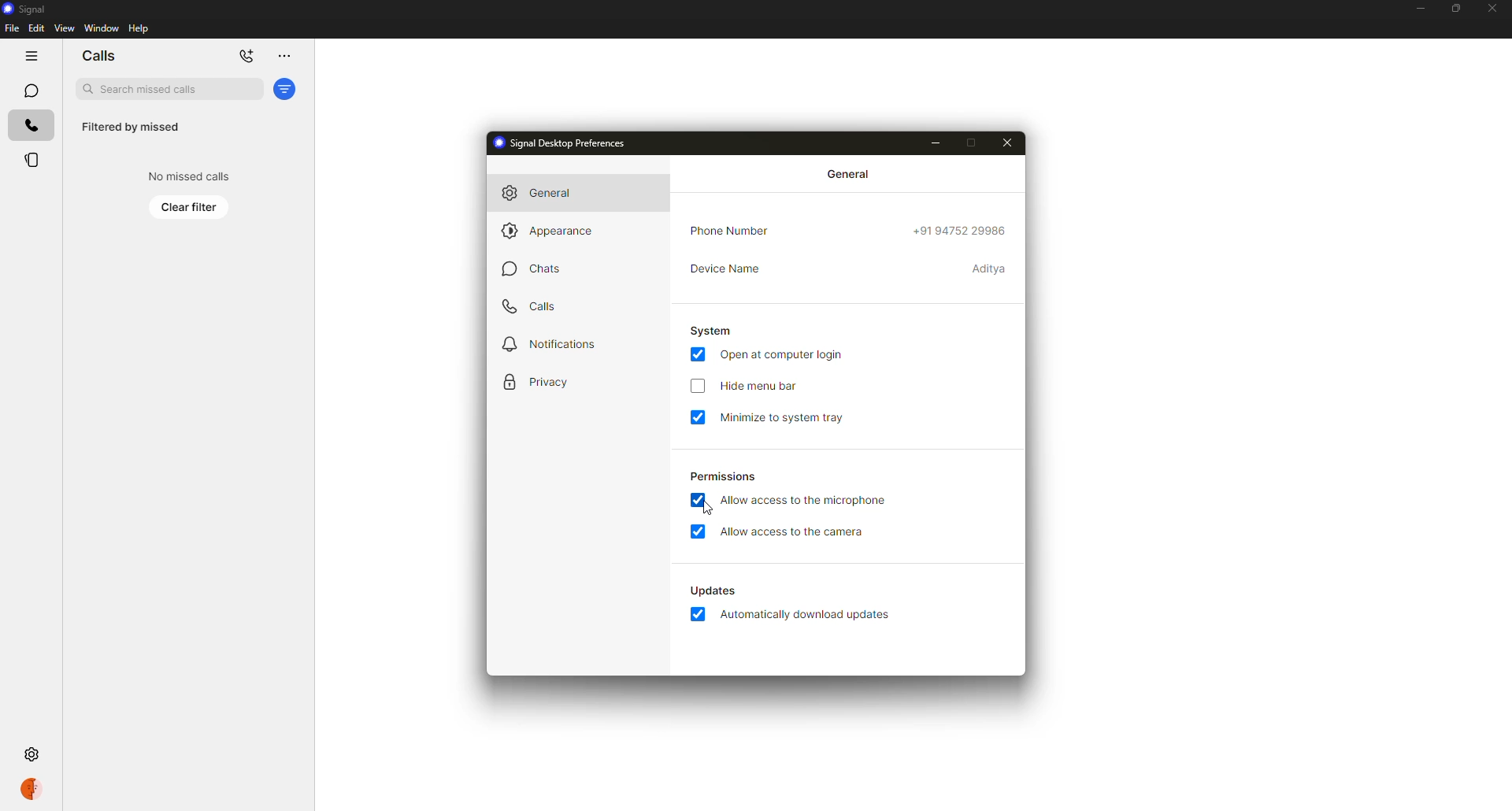  I want to click on maximize, so click(969, 143).